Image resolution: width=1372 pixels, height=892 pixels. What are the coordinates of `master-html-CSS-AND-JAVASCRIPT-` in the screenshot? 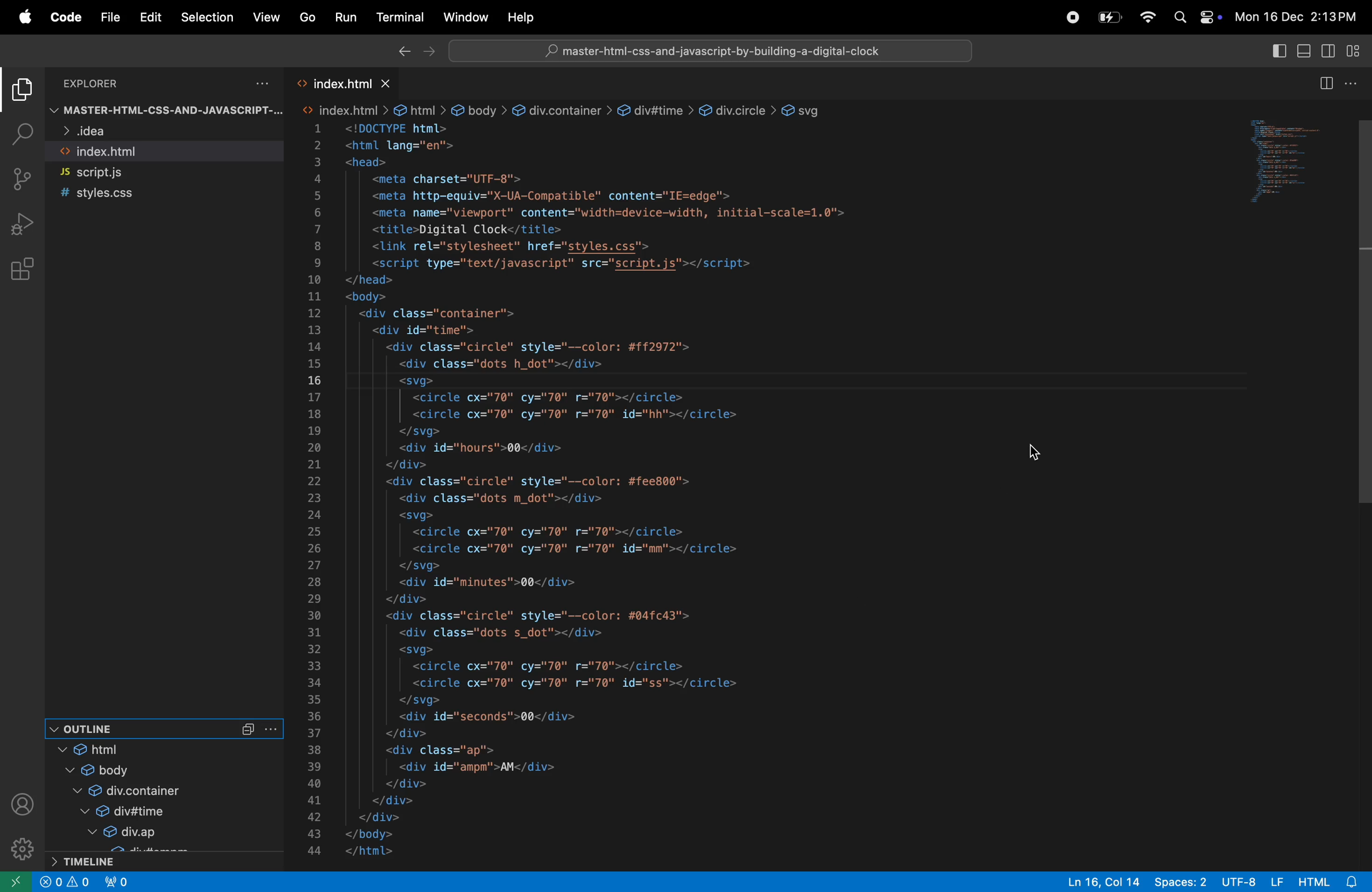 It's located at (168, 112).